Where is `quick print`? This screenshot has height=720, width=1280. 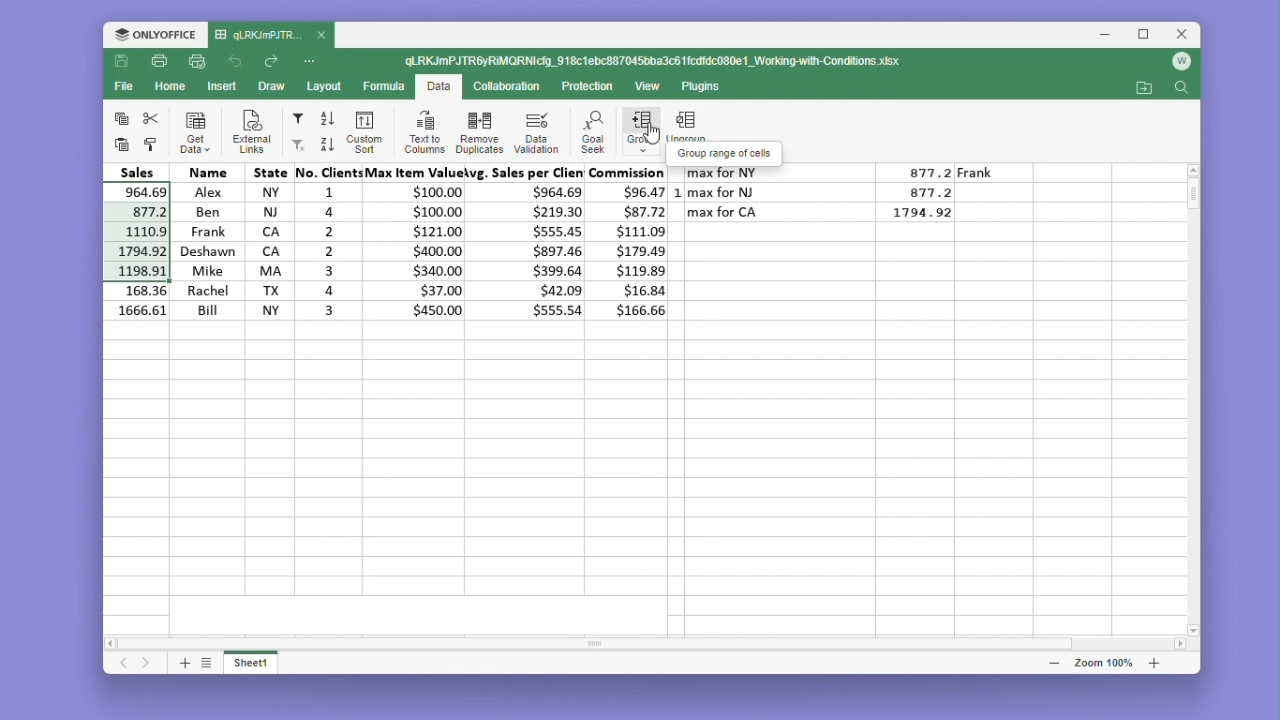
quick print is located at coordinates (198, 62).